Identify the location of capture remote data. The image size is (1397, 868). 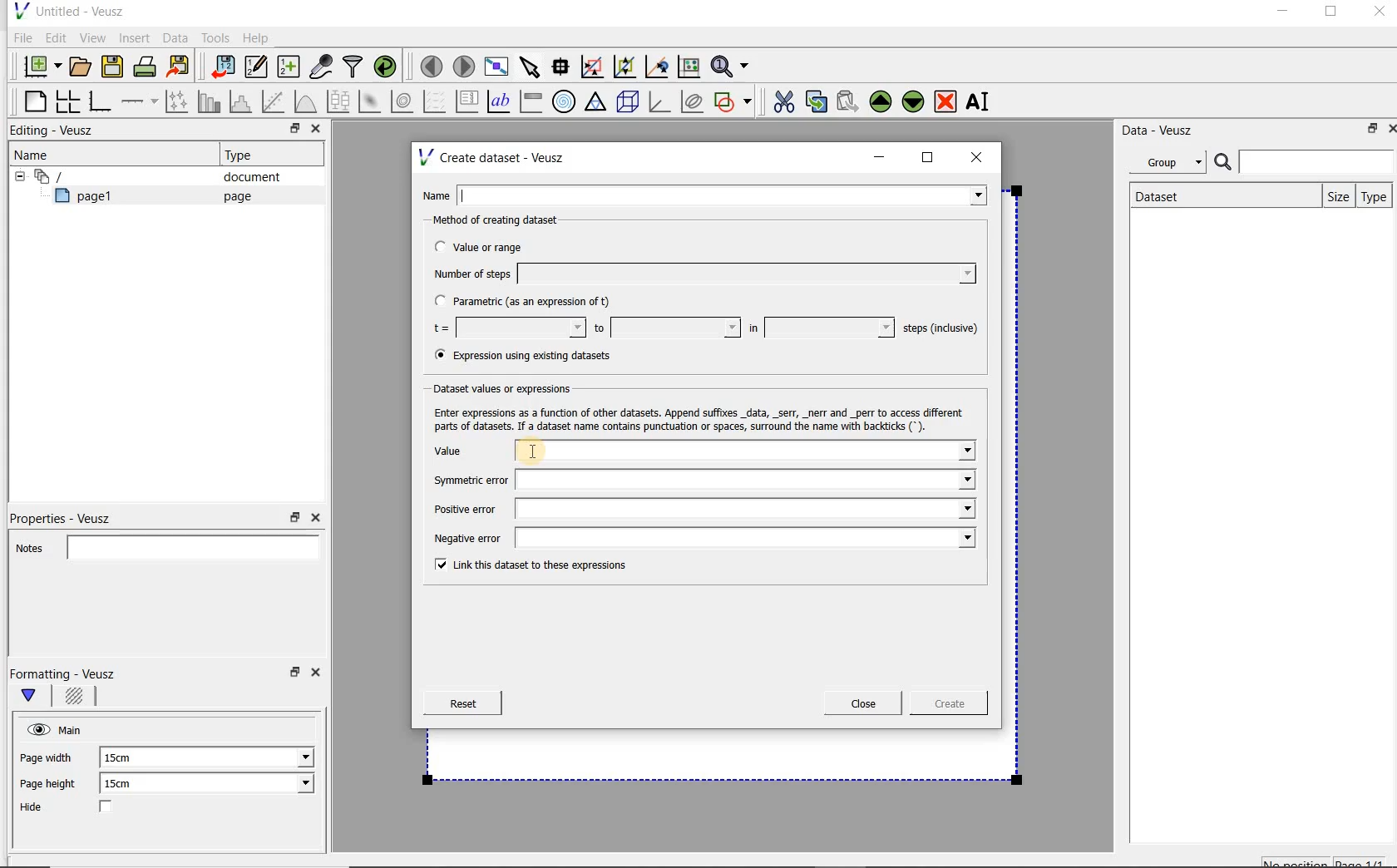
(322, 69).